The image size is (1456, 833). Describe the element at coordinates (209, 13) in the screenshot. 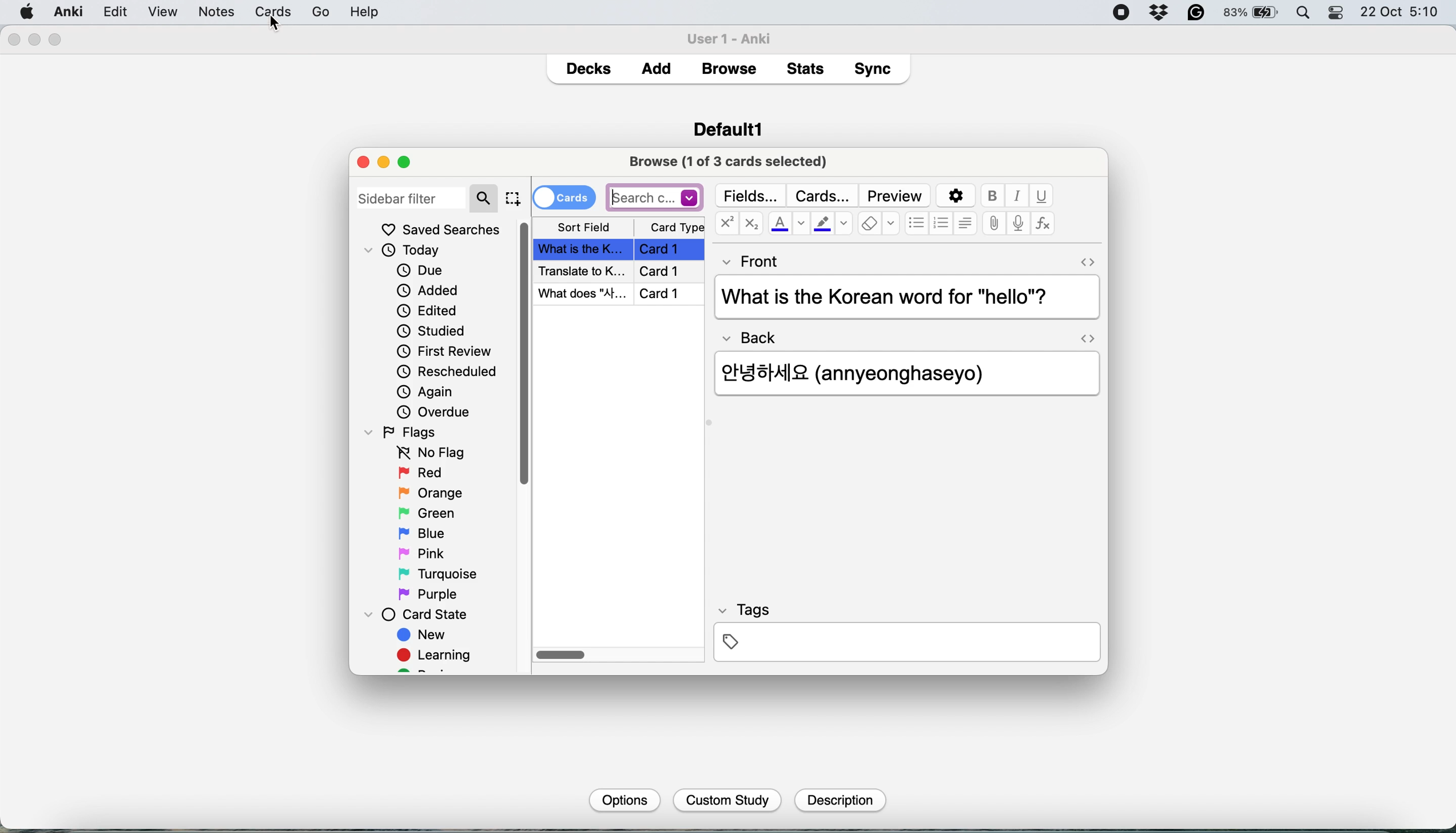

I see `view` at that location.